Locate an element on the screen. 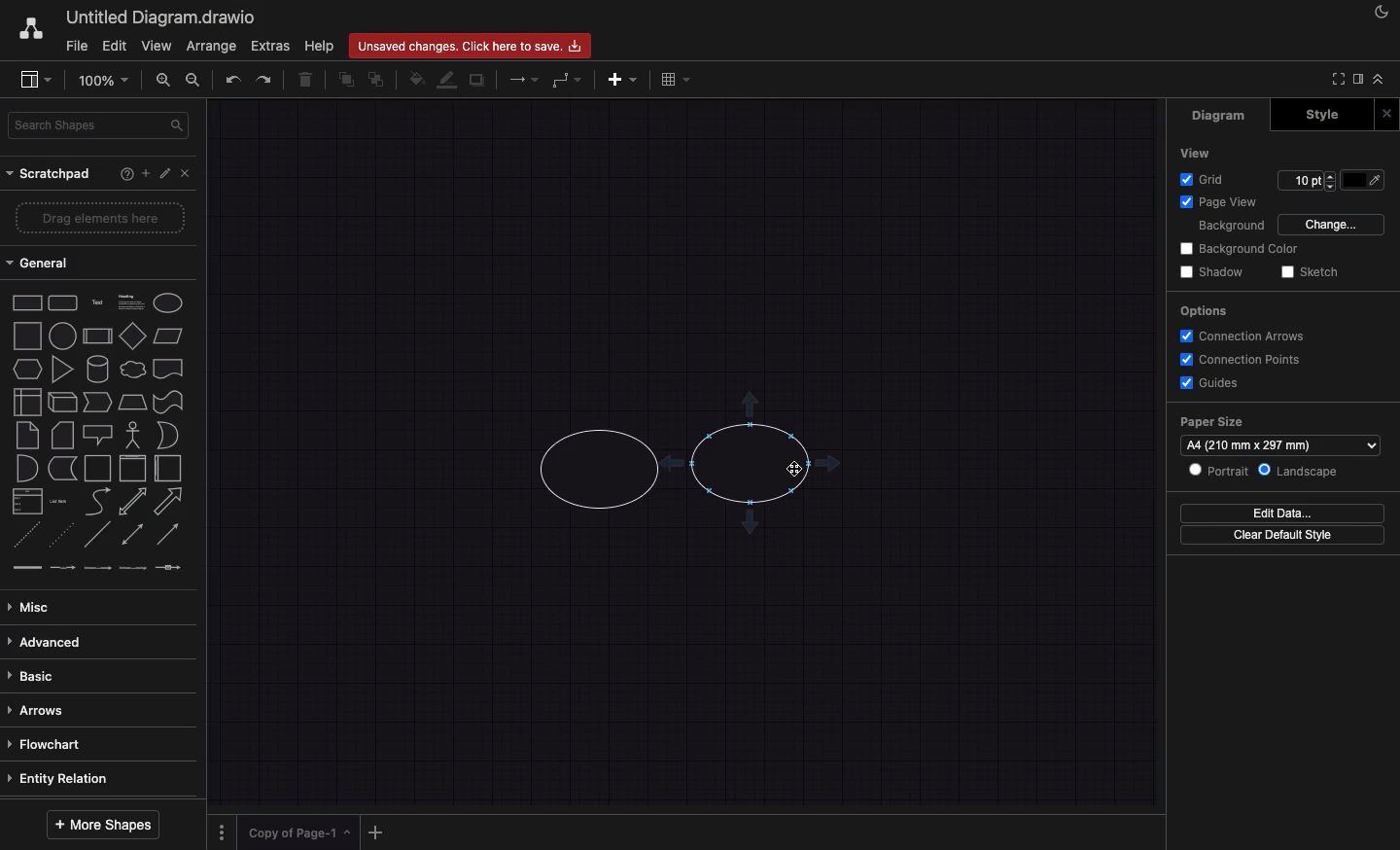 This screenshot has width=1400, height=850. view is located at coordinates (1197, 153).